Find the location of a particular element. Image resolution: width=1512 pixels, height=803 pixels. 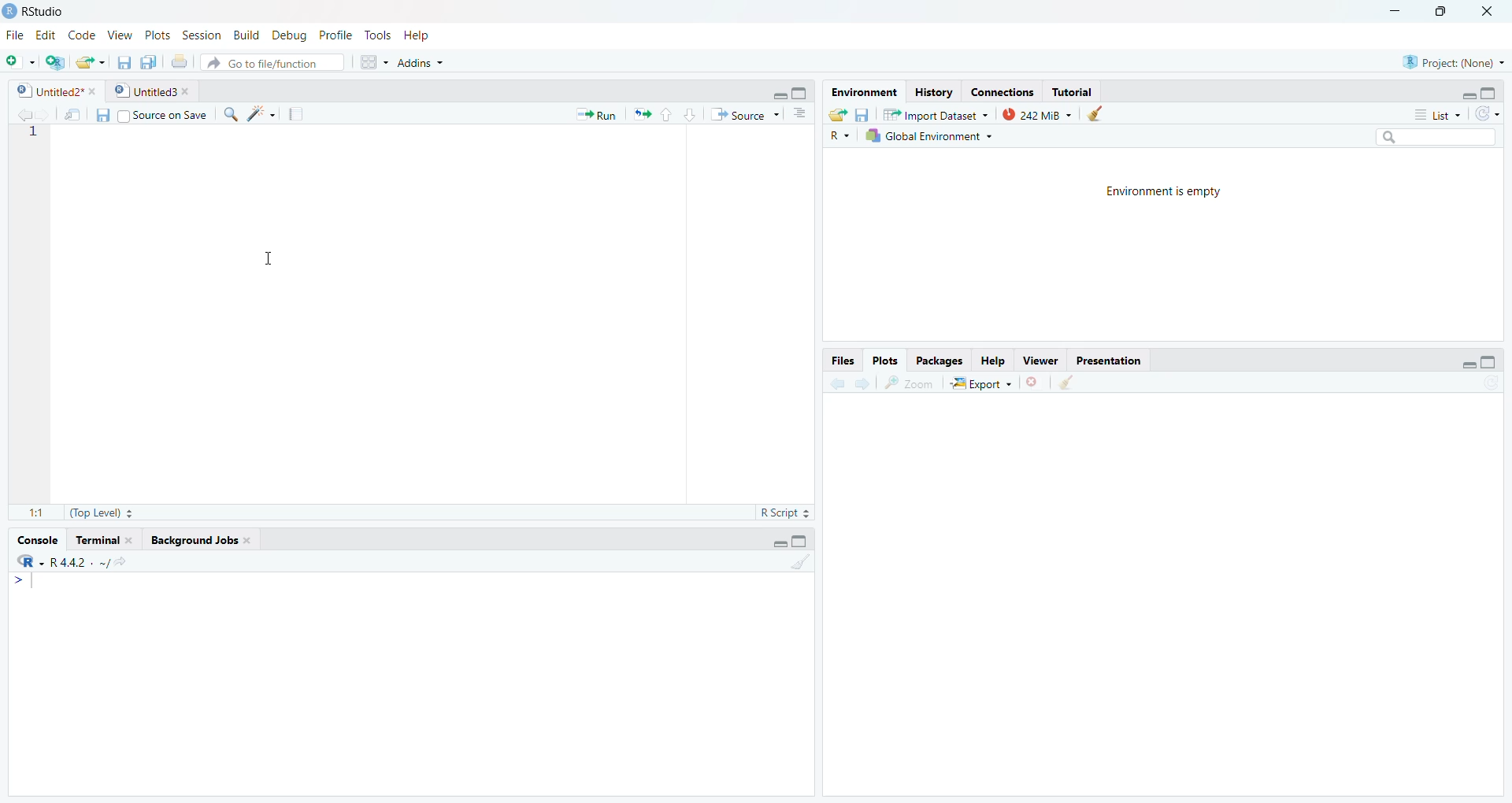

Tutorial is located at coordinates (1073, 92).